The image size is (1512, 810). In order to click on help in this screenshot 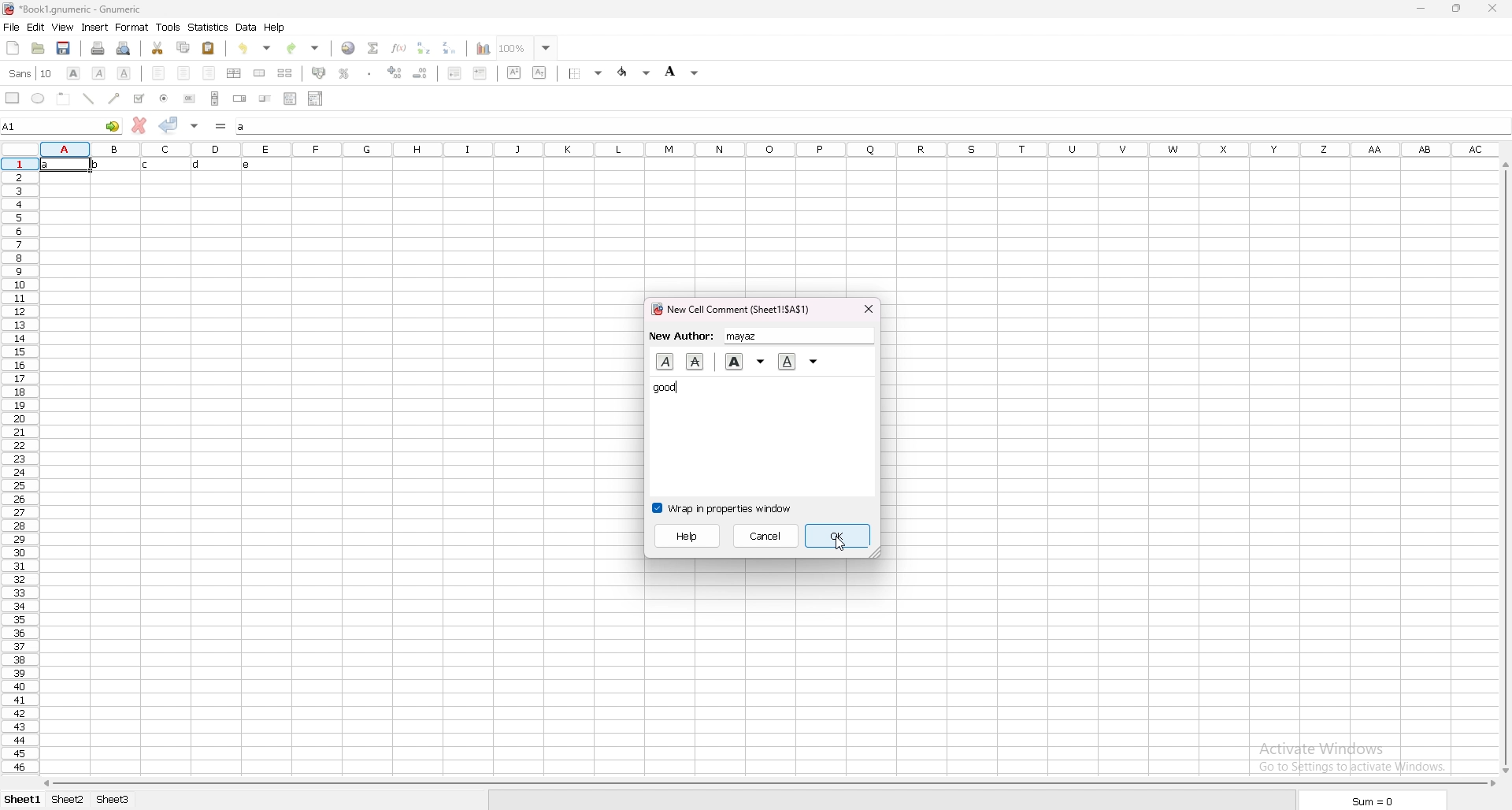, I will do `click(276, 28)`.